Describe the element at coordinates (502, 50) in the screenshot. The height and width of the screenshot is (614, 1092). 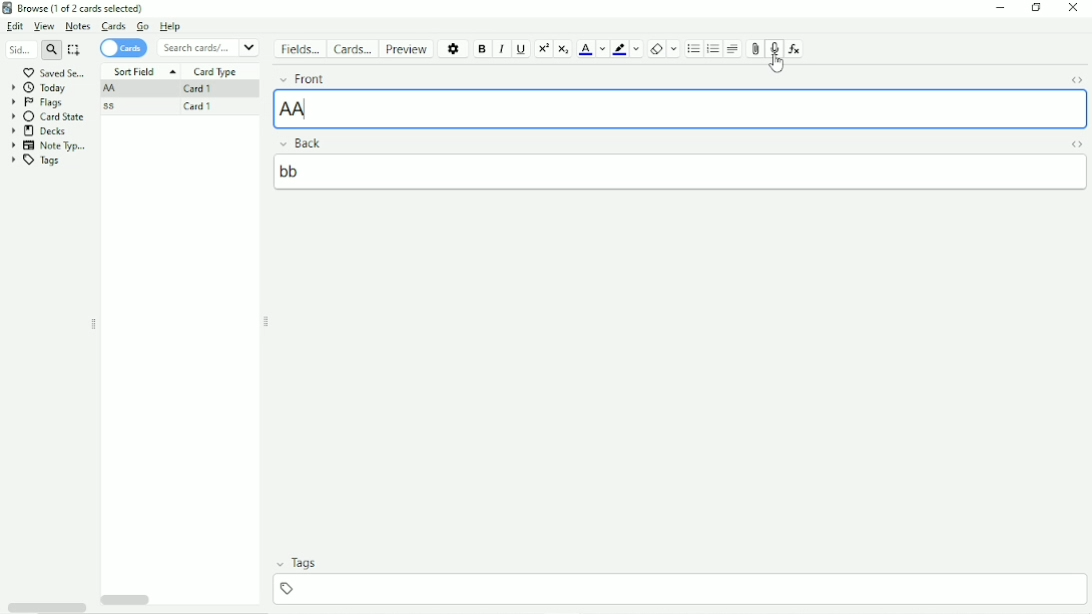
I see `Italic` at that location.